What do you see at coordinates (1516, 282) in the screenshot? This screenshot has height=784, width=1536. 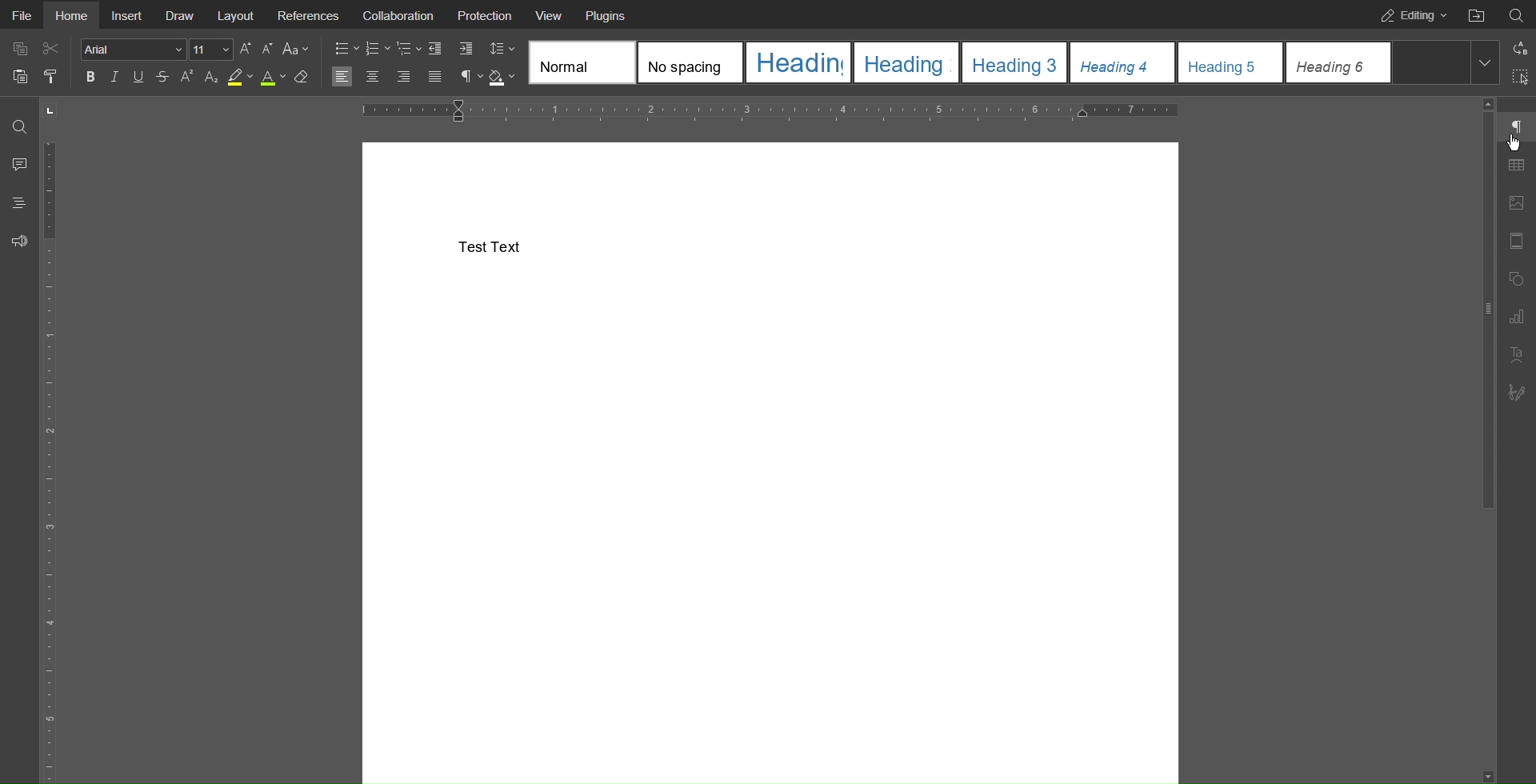 I see `Shape Settings` at bounding box center [1516, 282].